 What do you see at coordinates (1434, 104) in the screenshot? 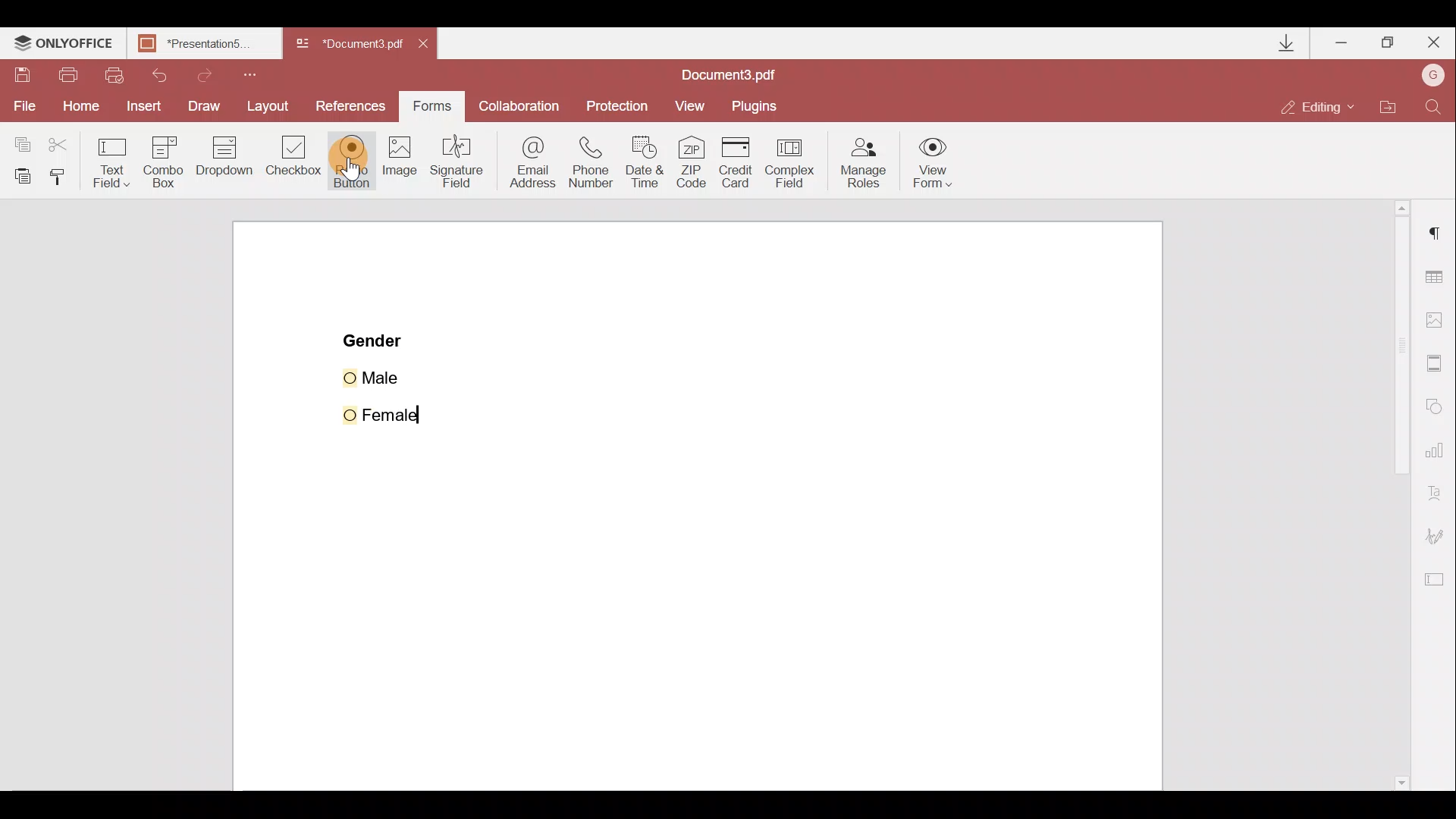
I see `Find` at bounding box center [1434, 104].